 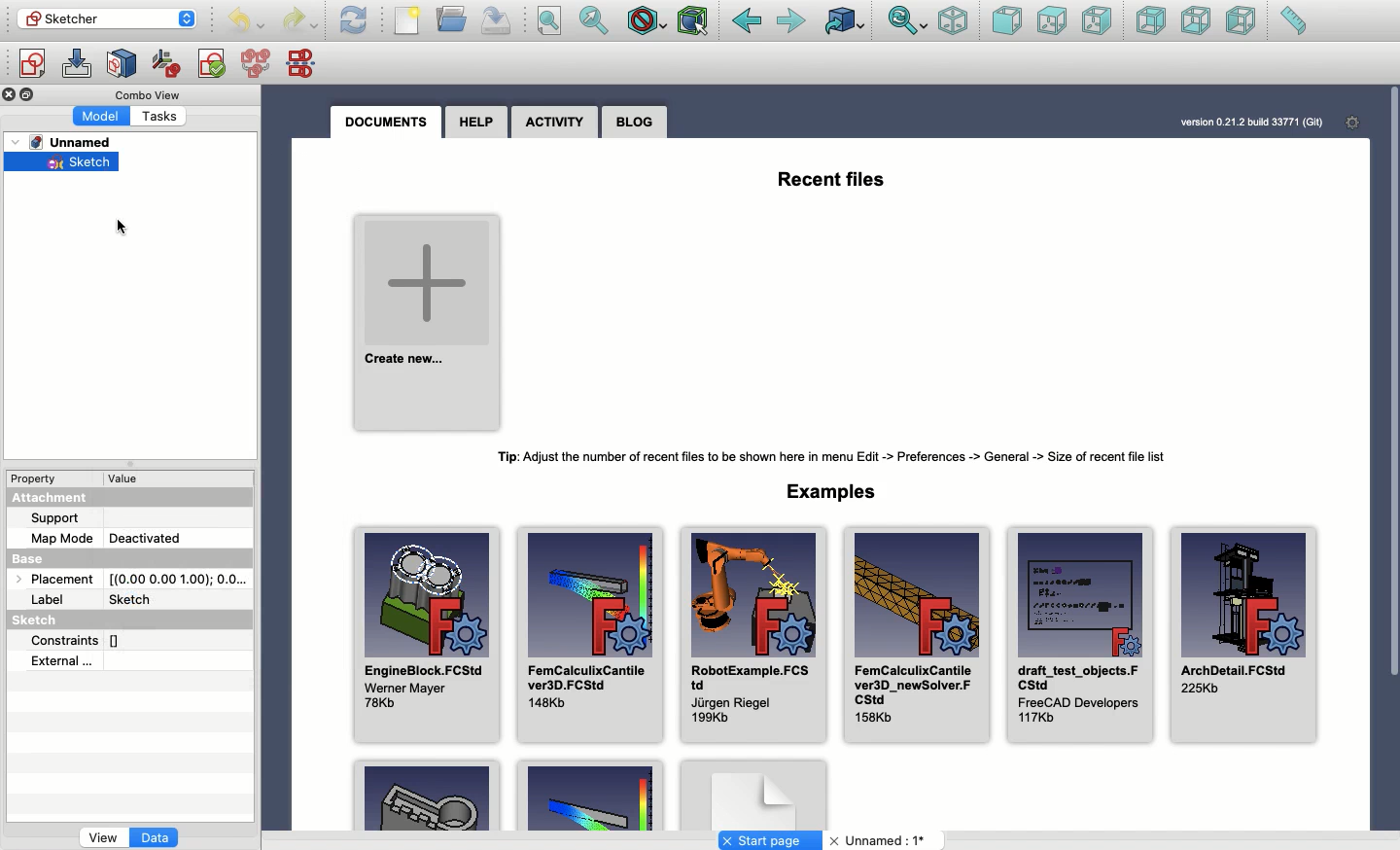 I want to click on (0.00 0.00 1.00); 0.0..., so click(x=179, y=575).